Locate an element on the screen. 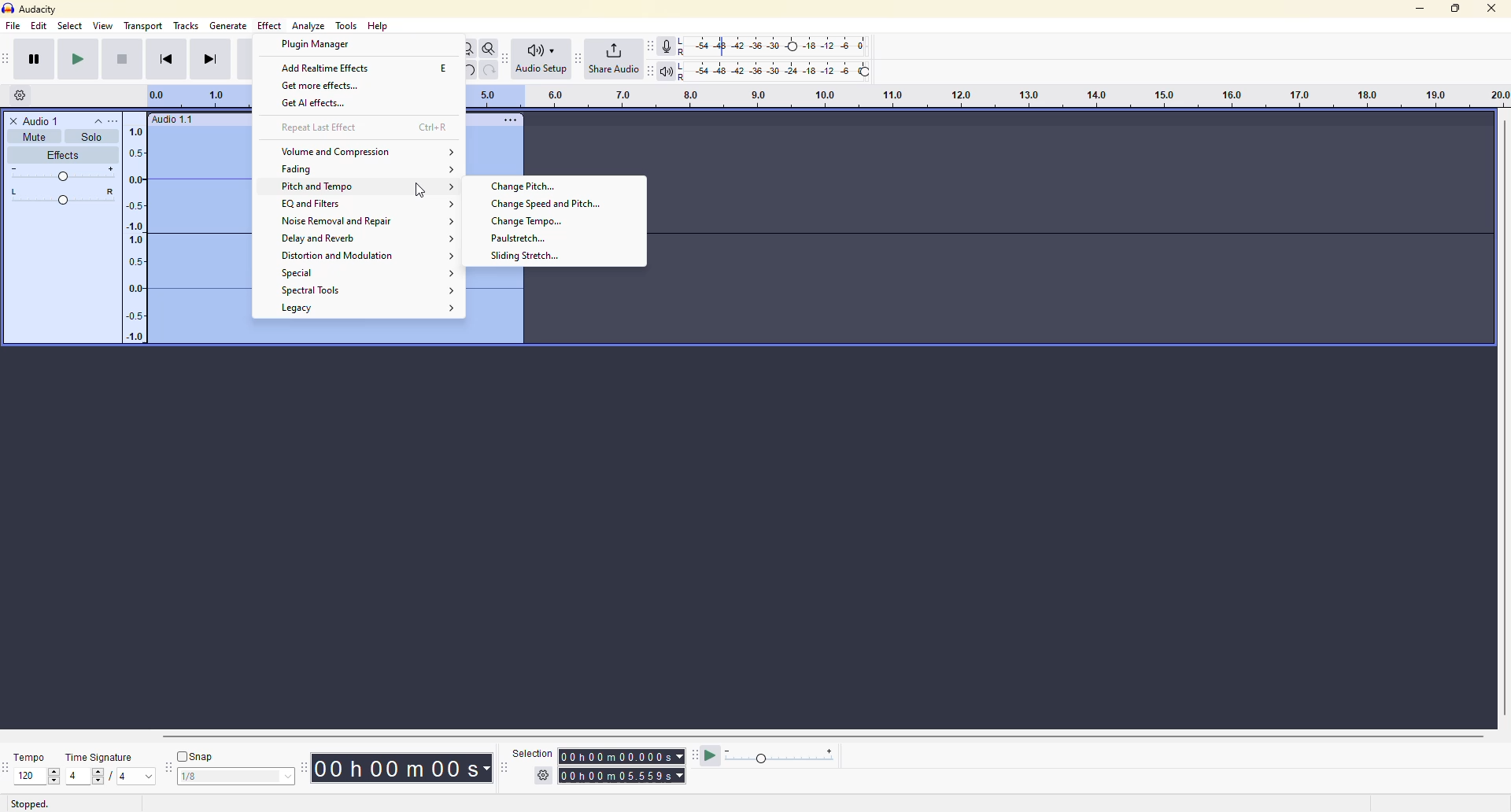 This screenshot has height=812, width=1511. expand is located at coordinates (453, 308).